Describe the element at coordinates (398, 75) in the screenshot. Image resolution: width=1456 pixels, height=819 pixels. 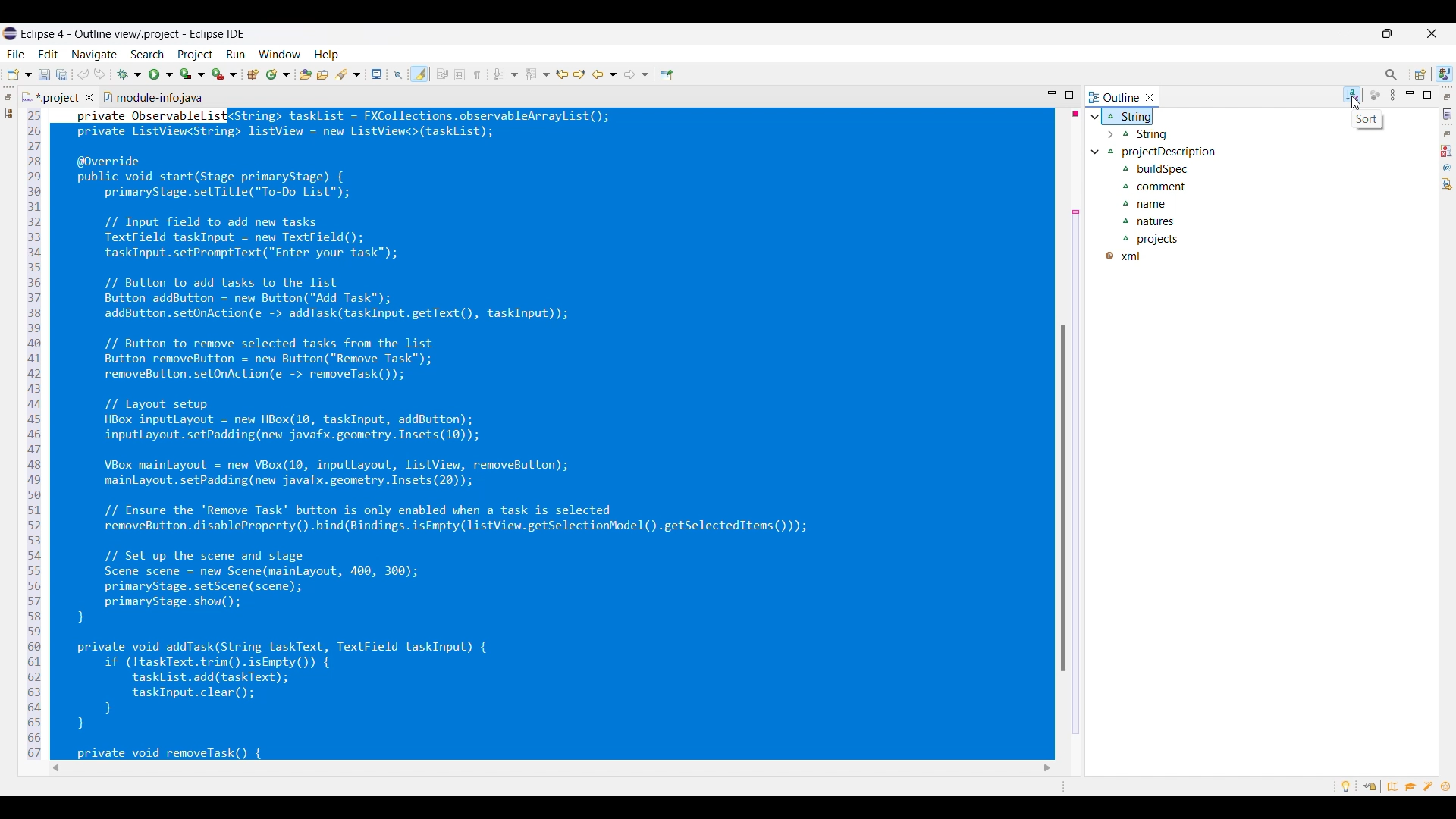
I see `Skip all breakpoints` at that location.